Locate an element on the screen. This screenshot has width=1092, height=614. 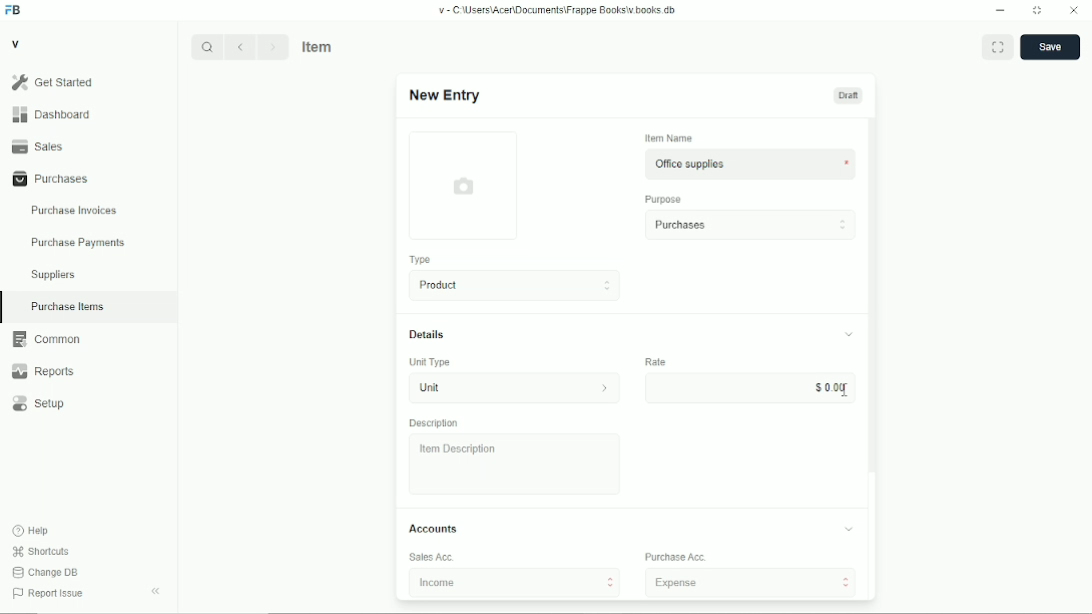
unit information is located at coordinates (605, 387).